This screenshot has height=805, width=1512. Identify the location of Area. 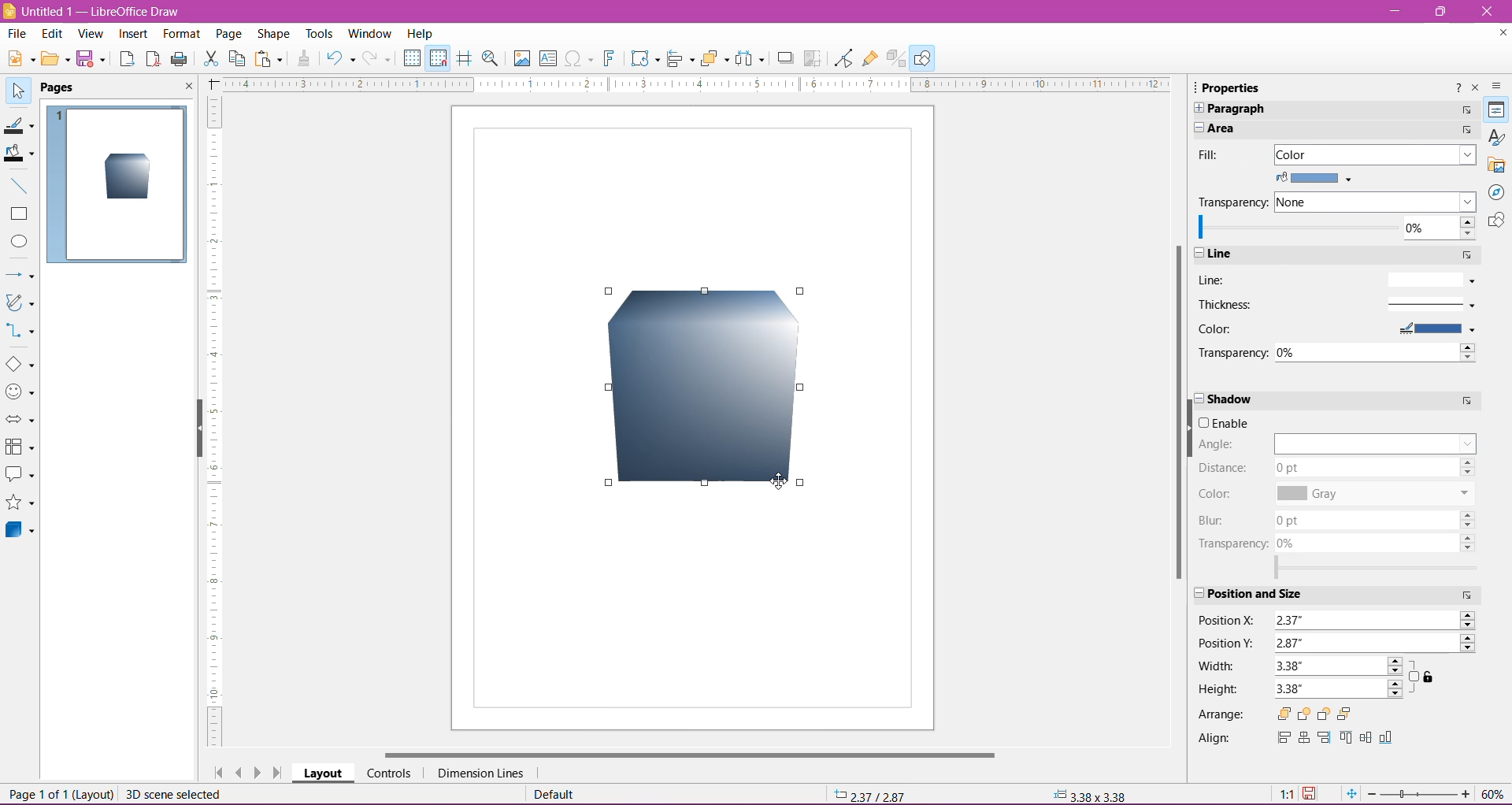
(1310, 128).